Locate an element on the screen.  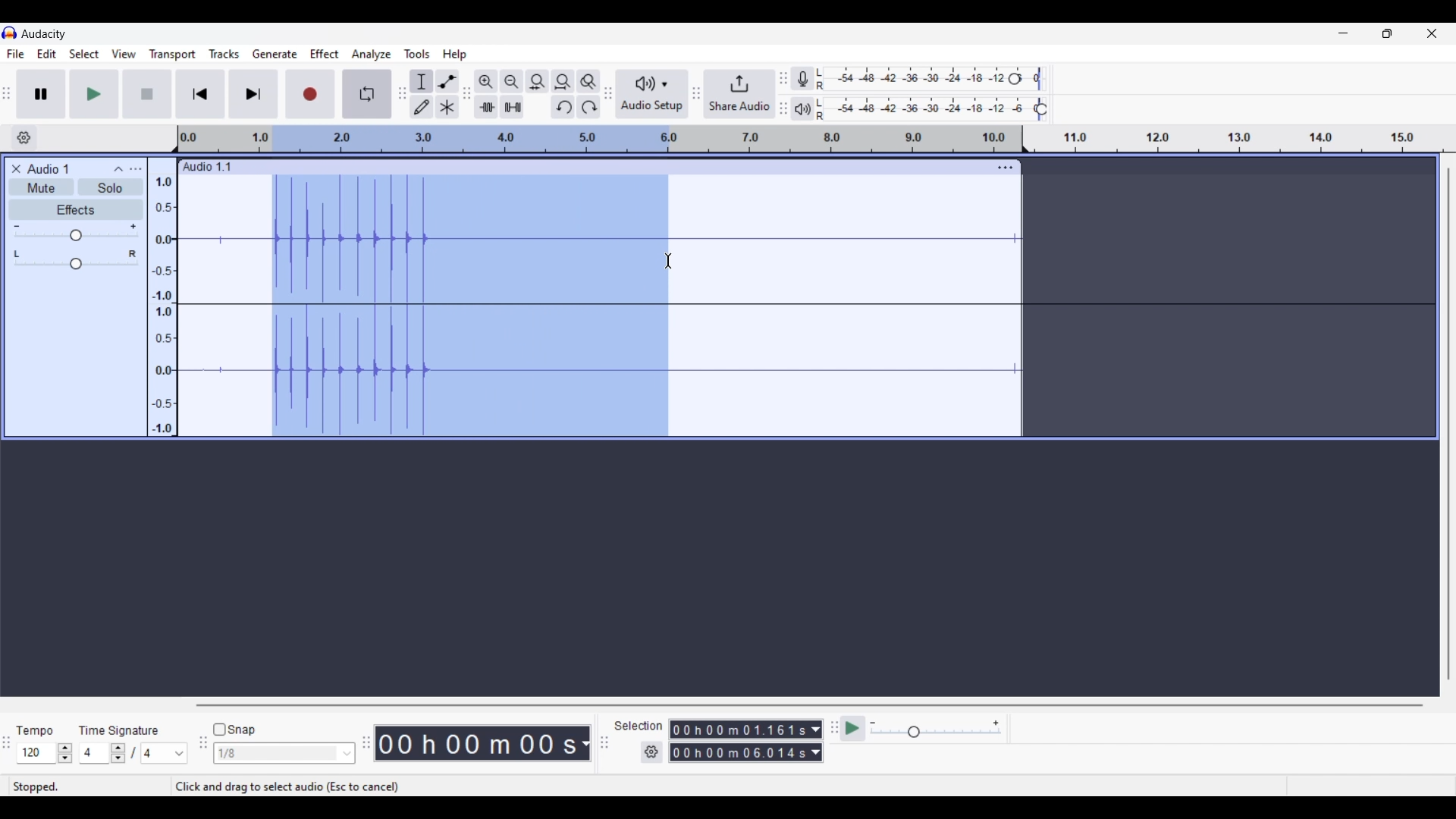
Selection tool is located at coordinates (421, 80).